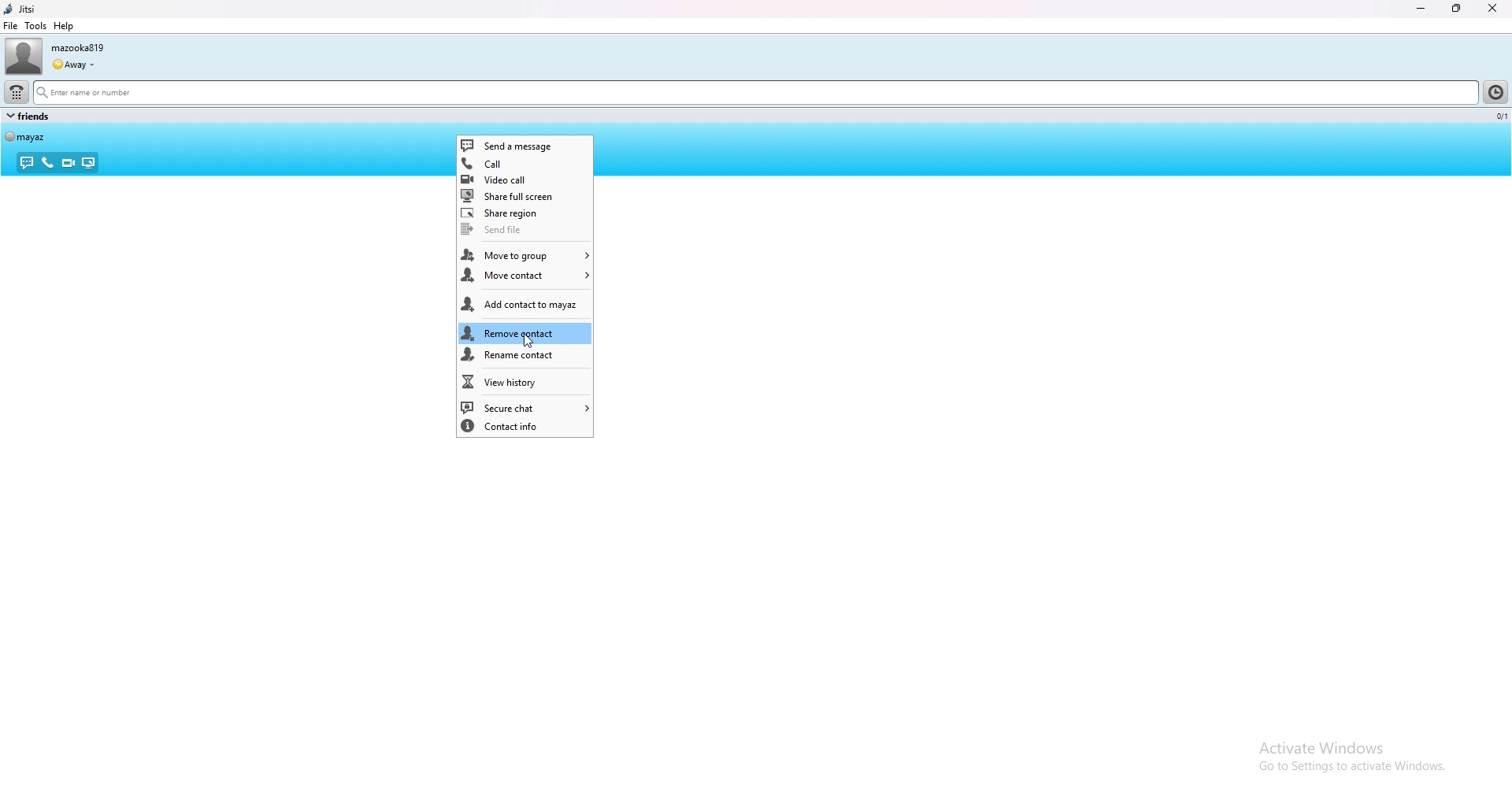 The height and width of the screenshot is (811, 1512). Describe the element at coordinates (28, 163) in the screenshot. I see `chat` at that location.